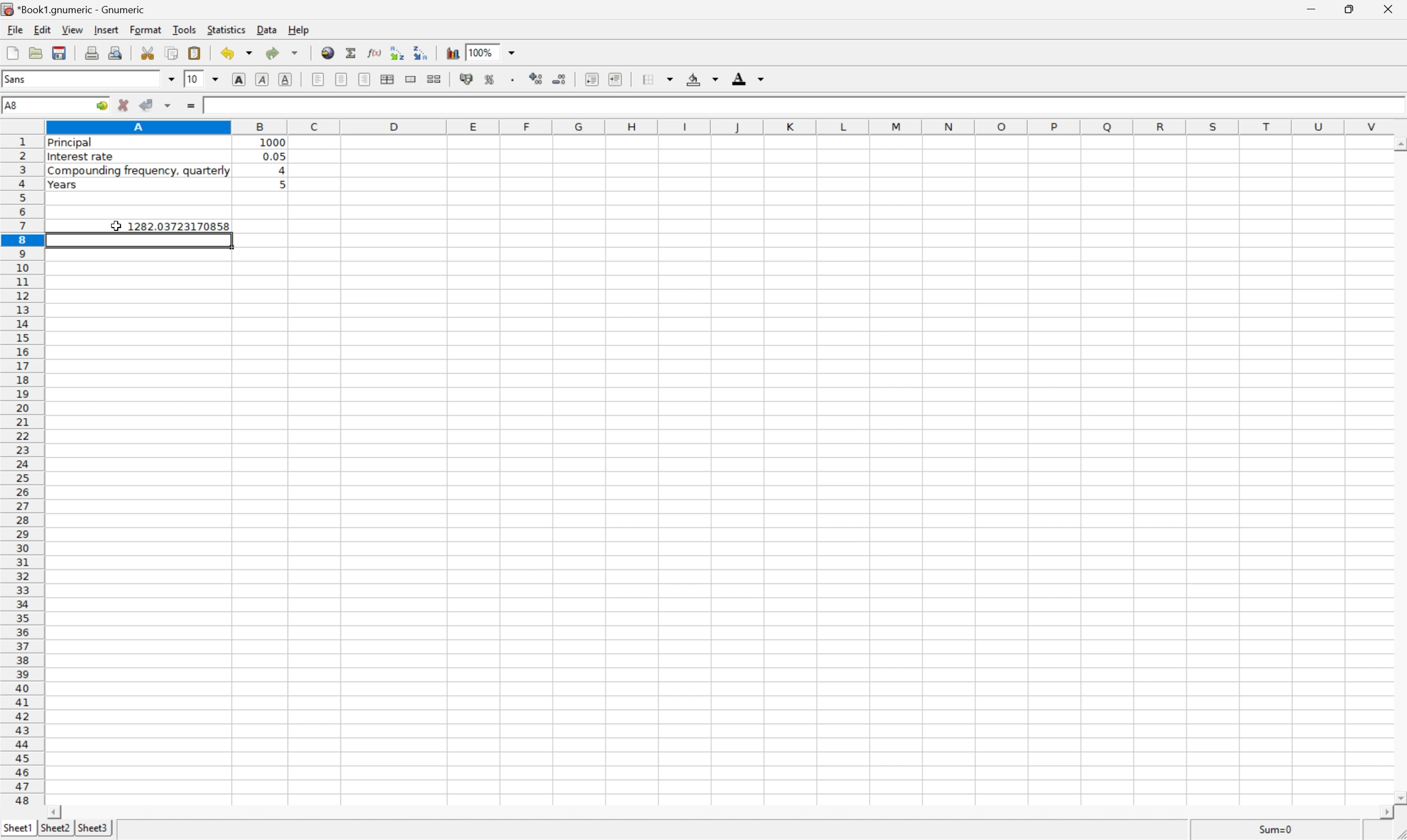  I want to click on 10, so click(194, 80).